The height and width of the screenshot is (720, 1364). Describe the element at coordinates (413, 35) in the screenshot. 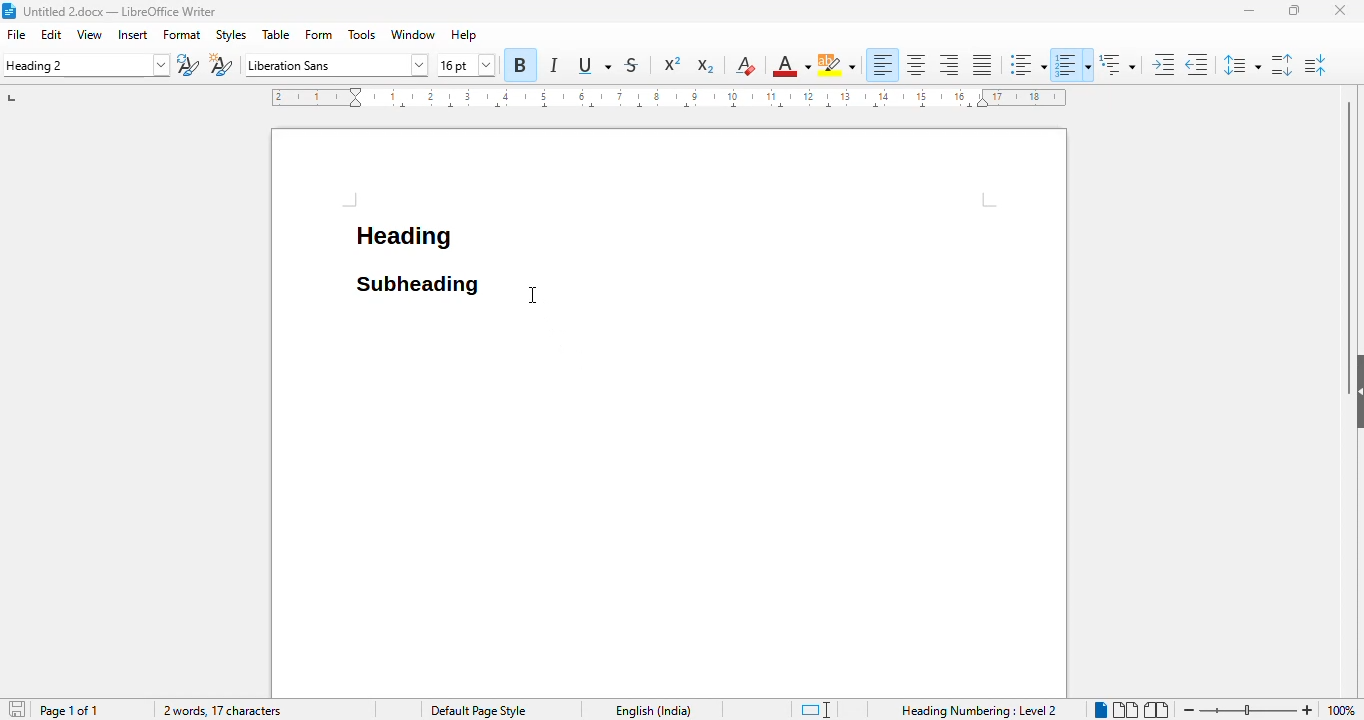

I see `window` at that location.